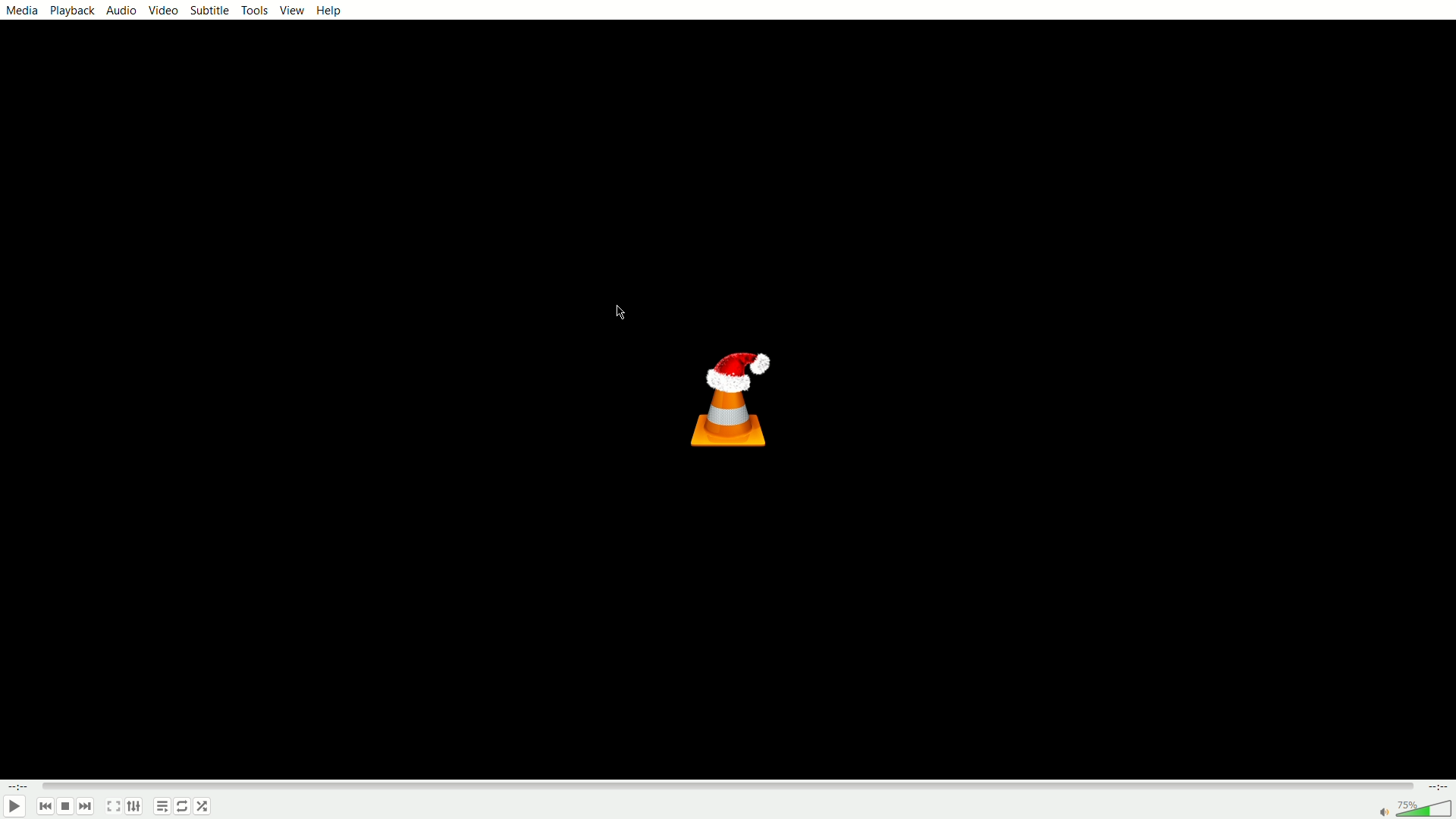  I want to click on play/pause, so click(65, 807).